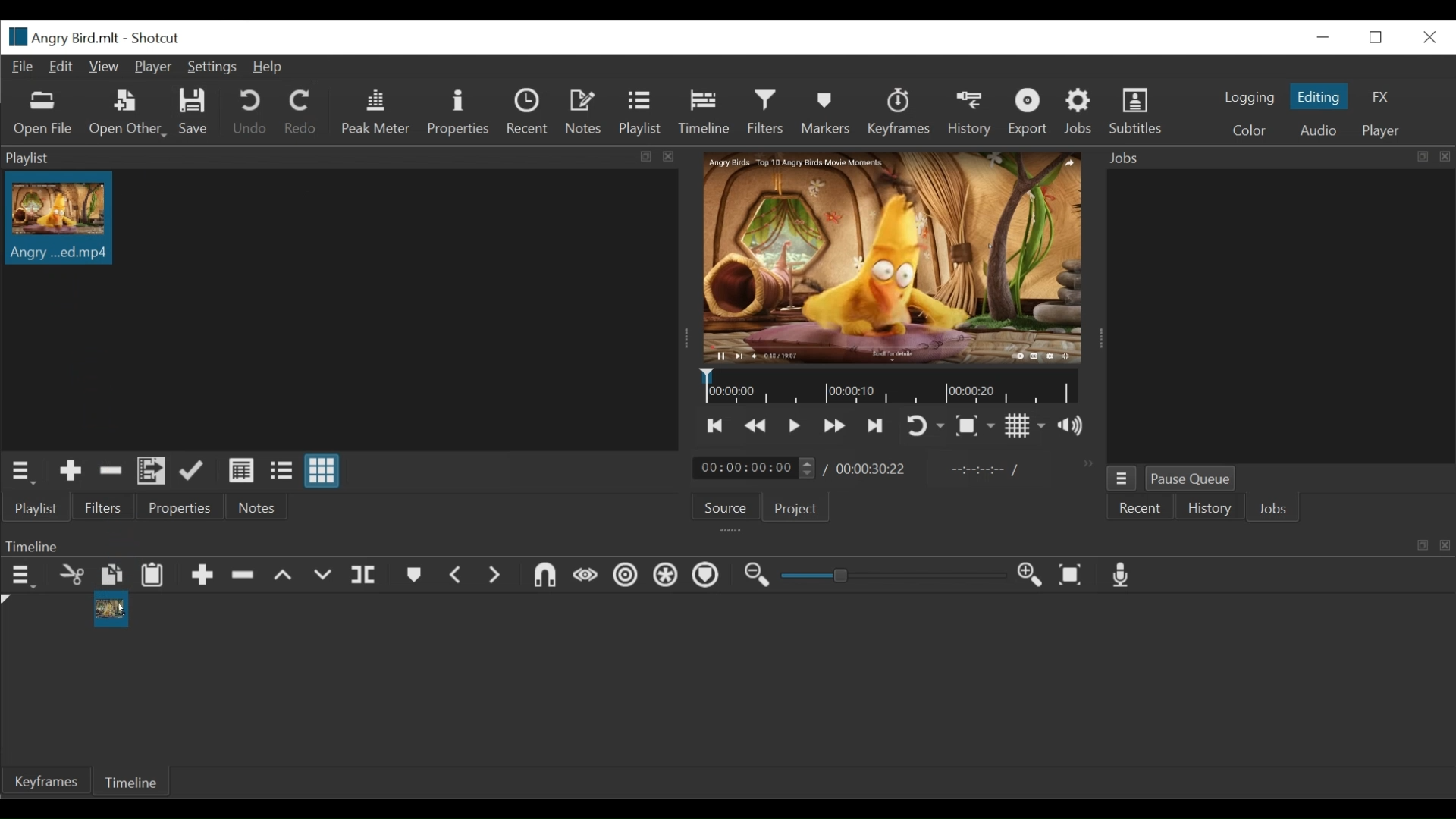  Describe the element at coordinates (585, 575) in the screenshot. I see `scrub wile dragging` at that location.